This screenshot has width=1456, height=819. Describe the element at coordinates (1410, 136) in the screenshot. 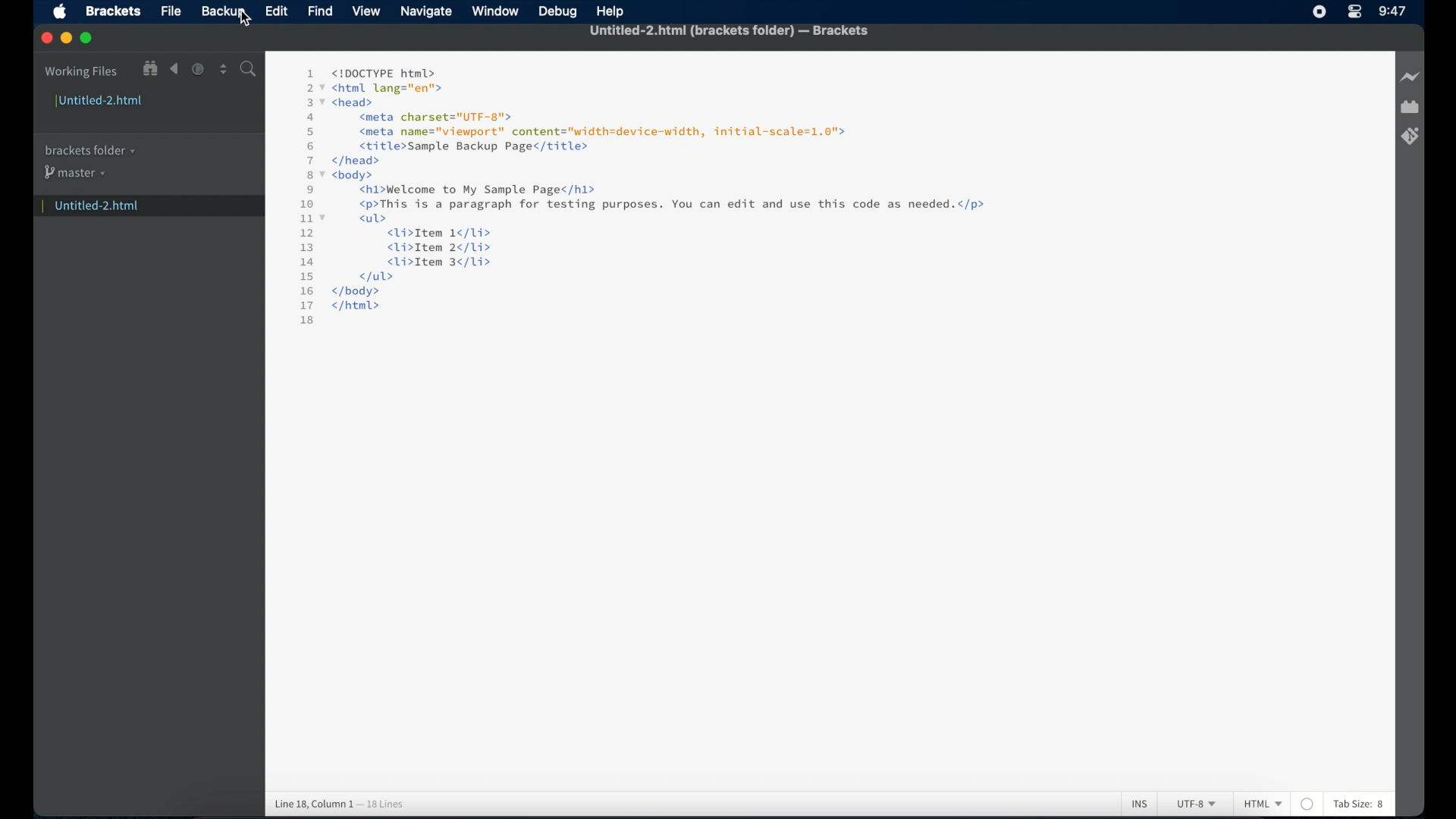

I see `brackets git` at that location.